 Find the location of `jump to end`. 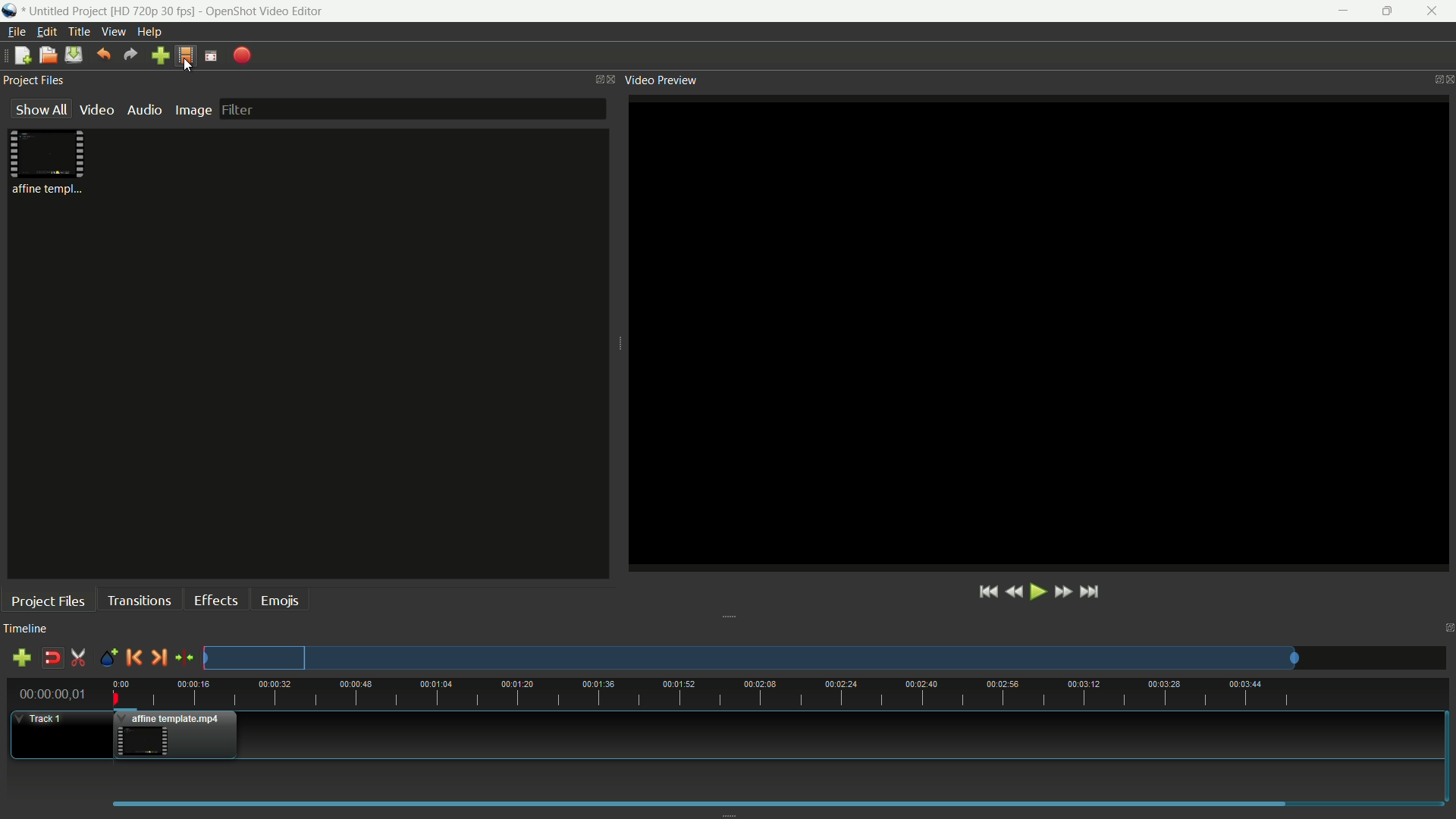

jump to end is located at coordinates (1093, 592).